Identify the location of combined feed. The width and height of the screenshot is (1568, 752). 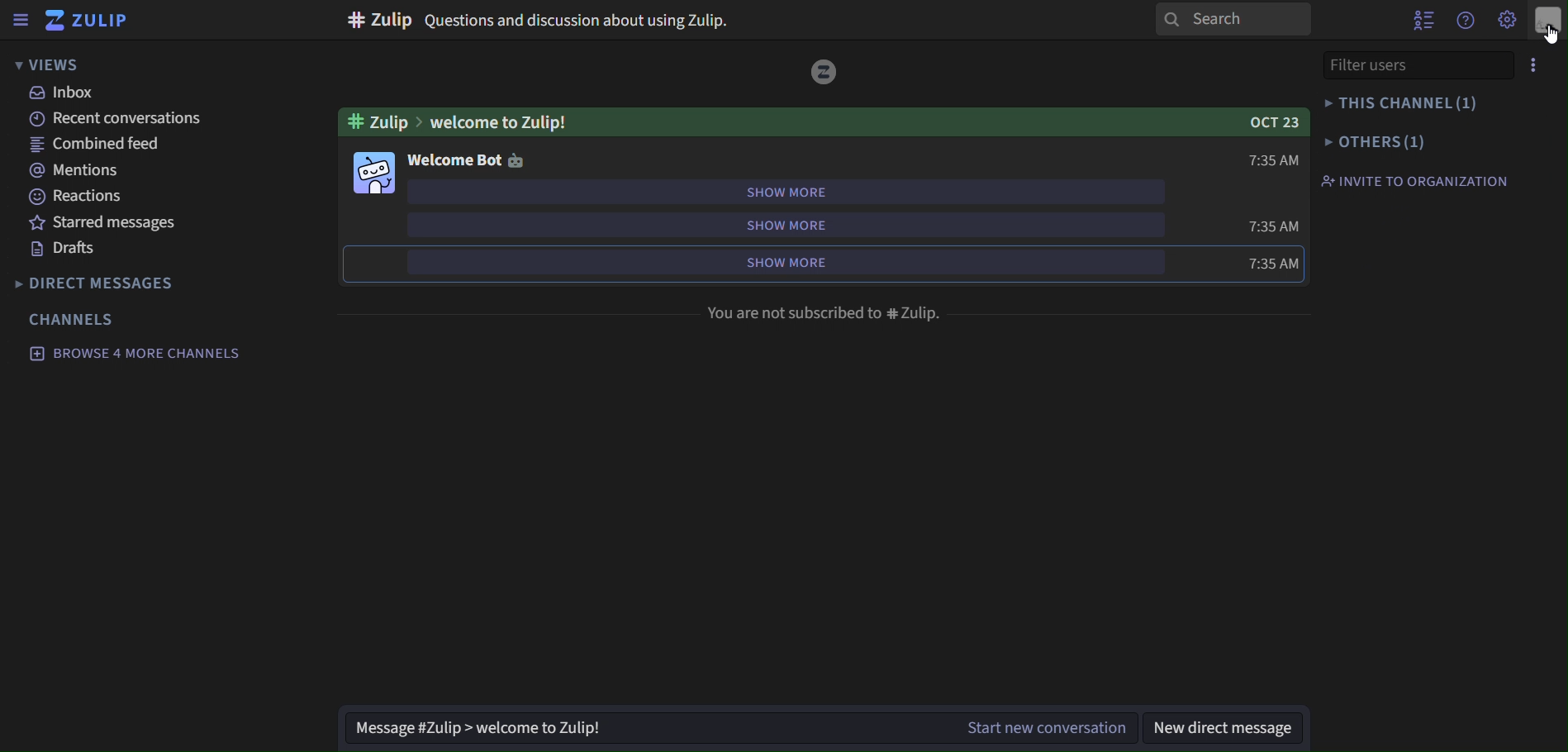
(93, 143).